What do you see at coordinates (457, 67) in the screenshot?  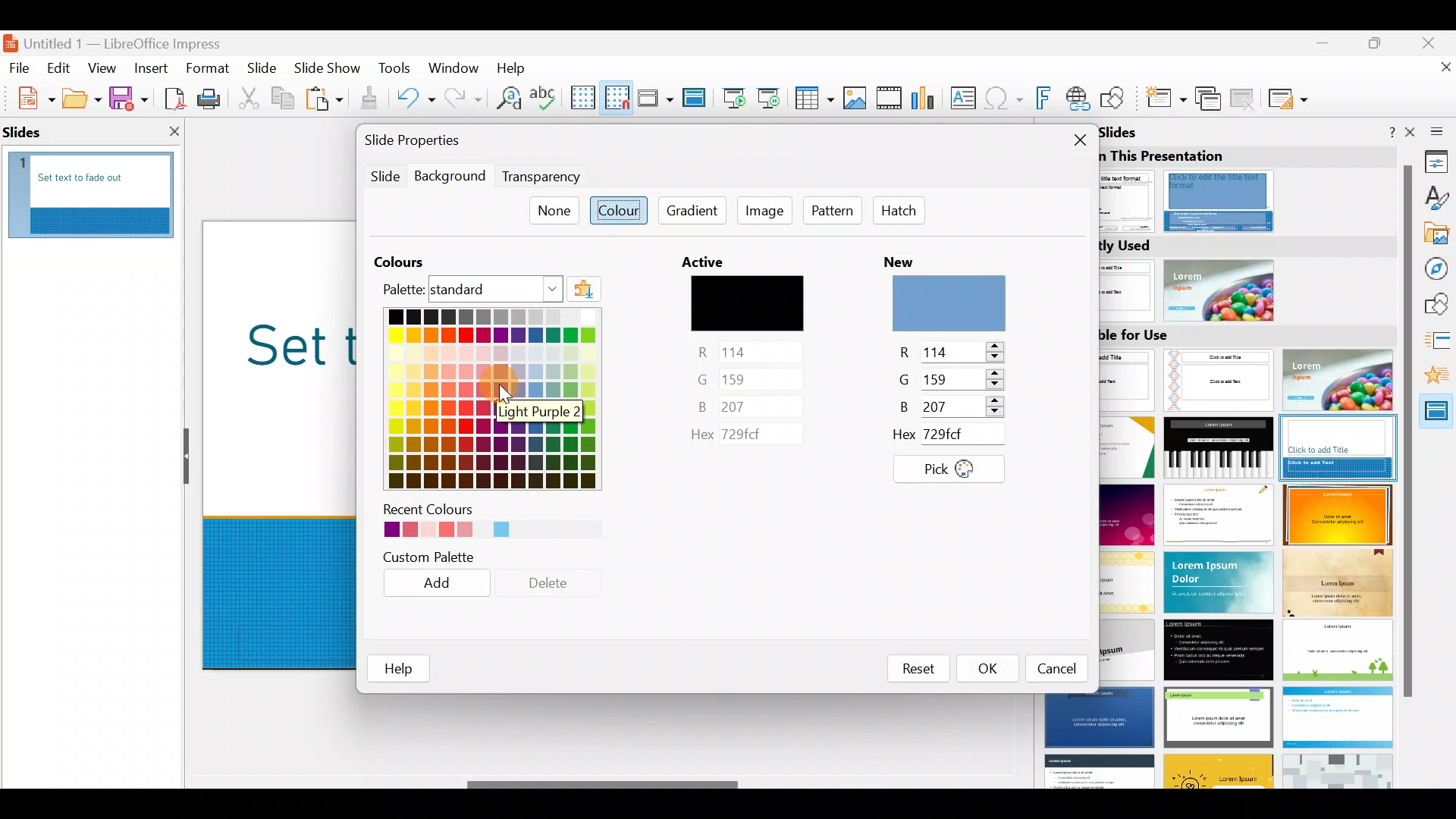 I see `Window` at bounding box center [457, 67].